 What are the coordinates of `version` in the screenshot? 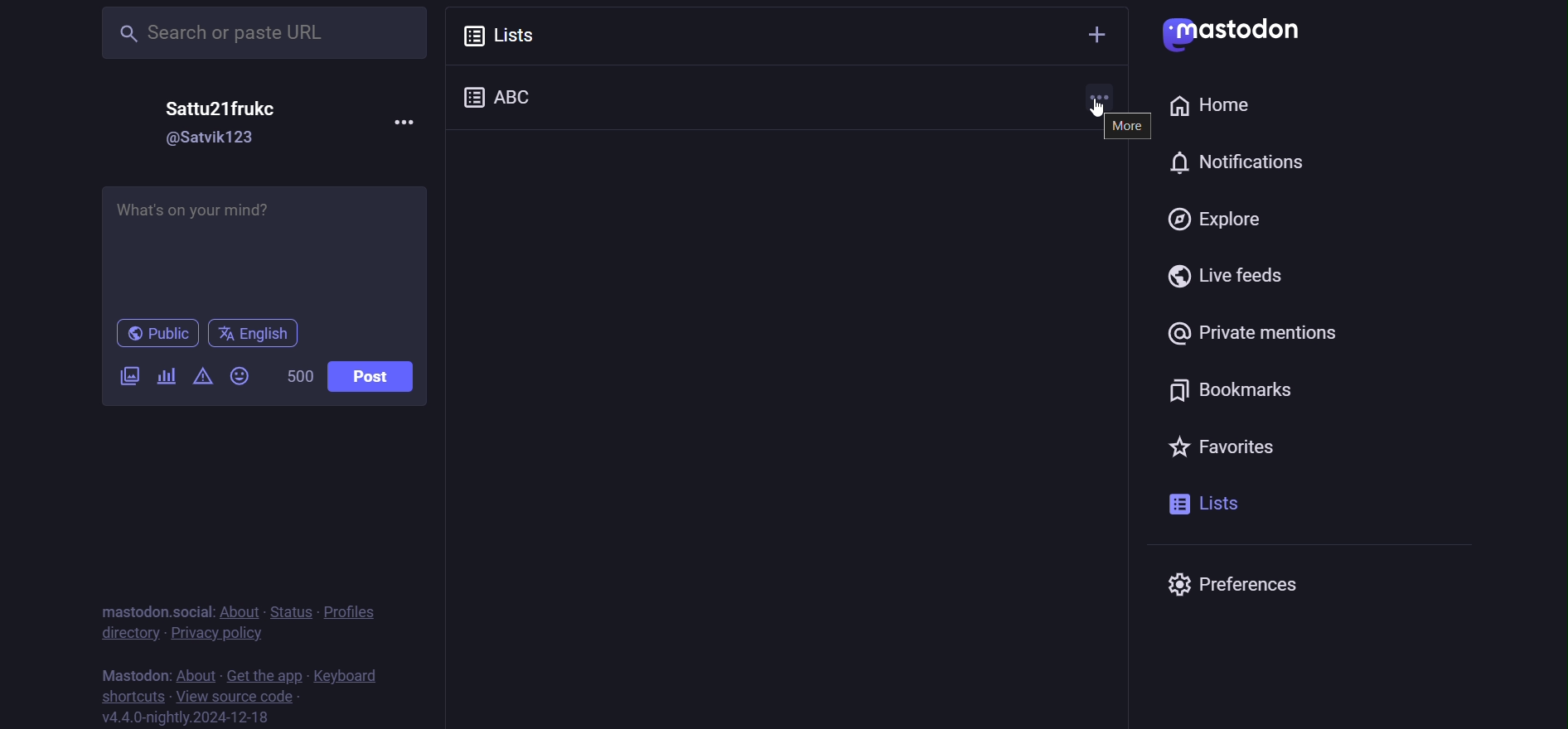 It's located at (197, 718).